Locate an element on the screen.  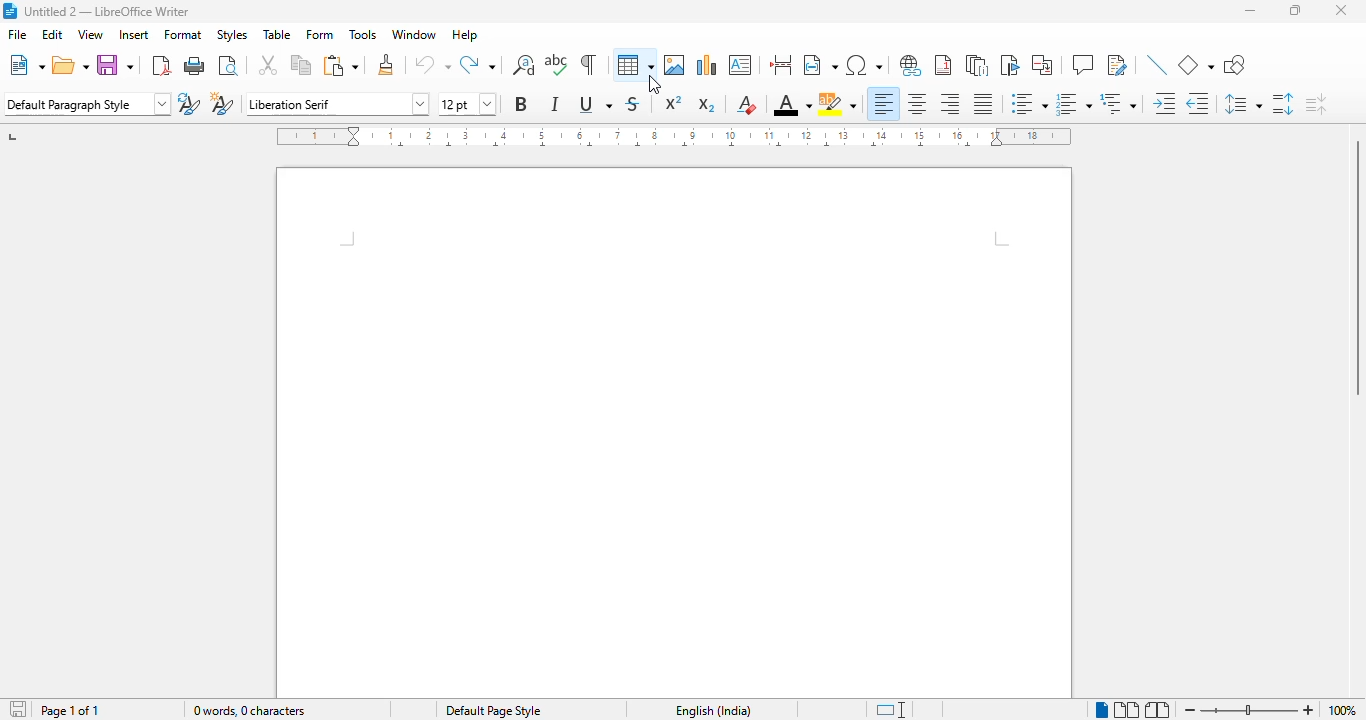
tools is located at coordinates (364, 34).